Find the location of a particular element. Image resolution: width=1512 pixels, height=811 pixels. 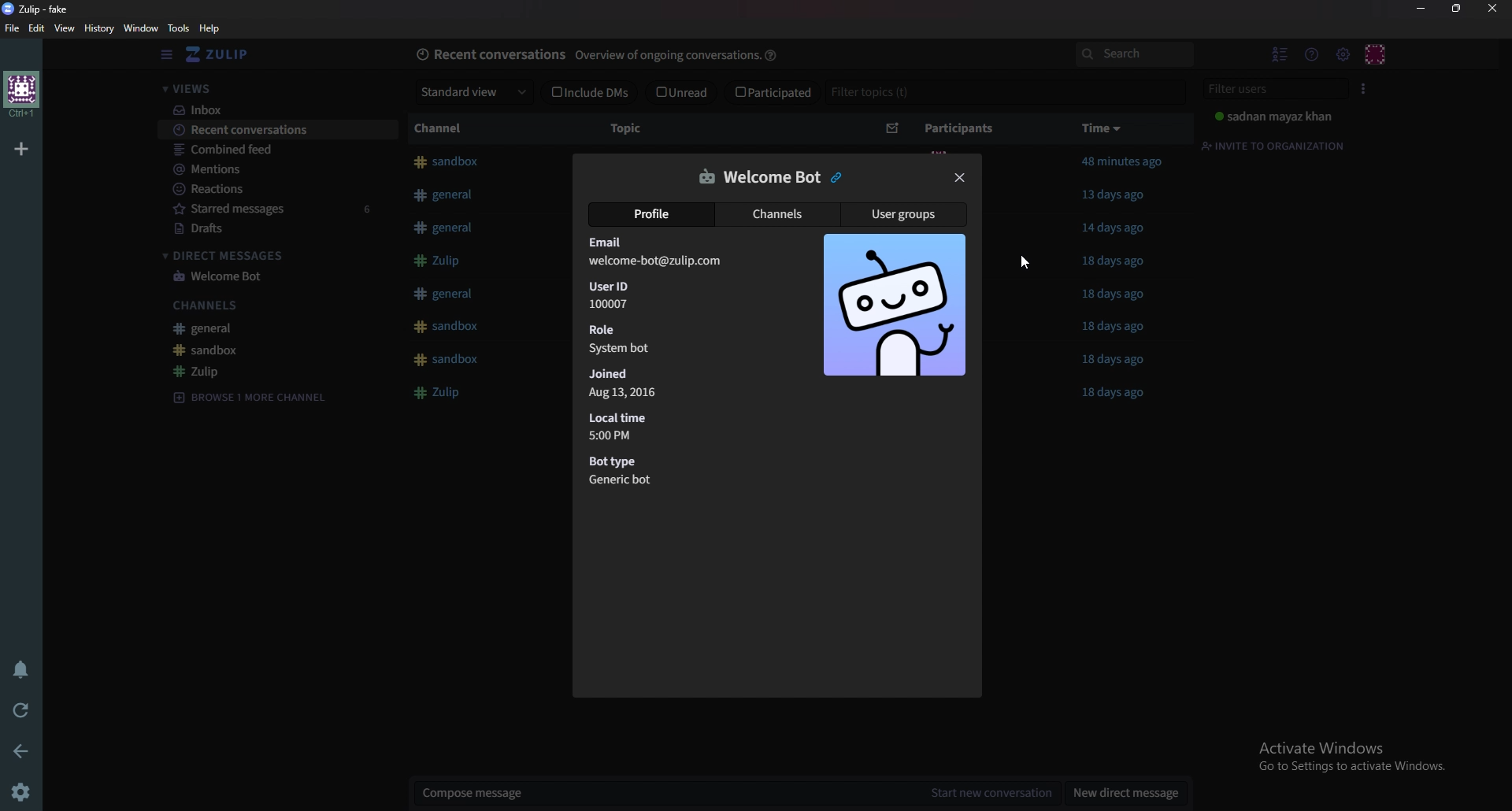

Bot type Generic bot is located at coordinates (625, 472).